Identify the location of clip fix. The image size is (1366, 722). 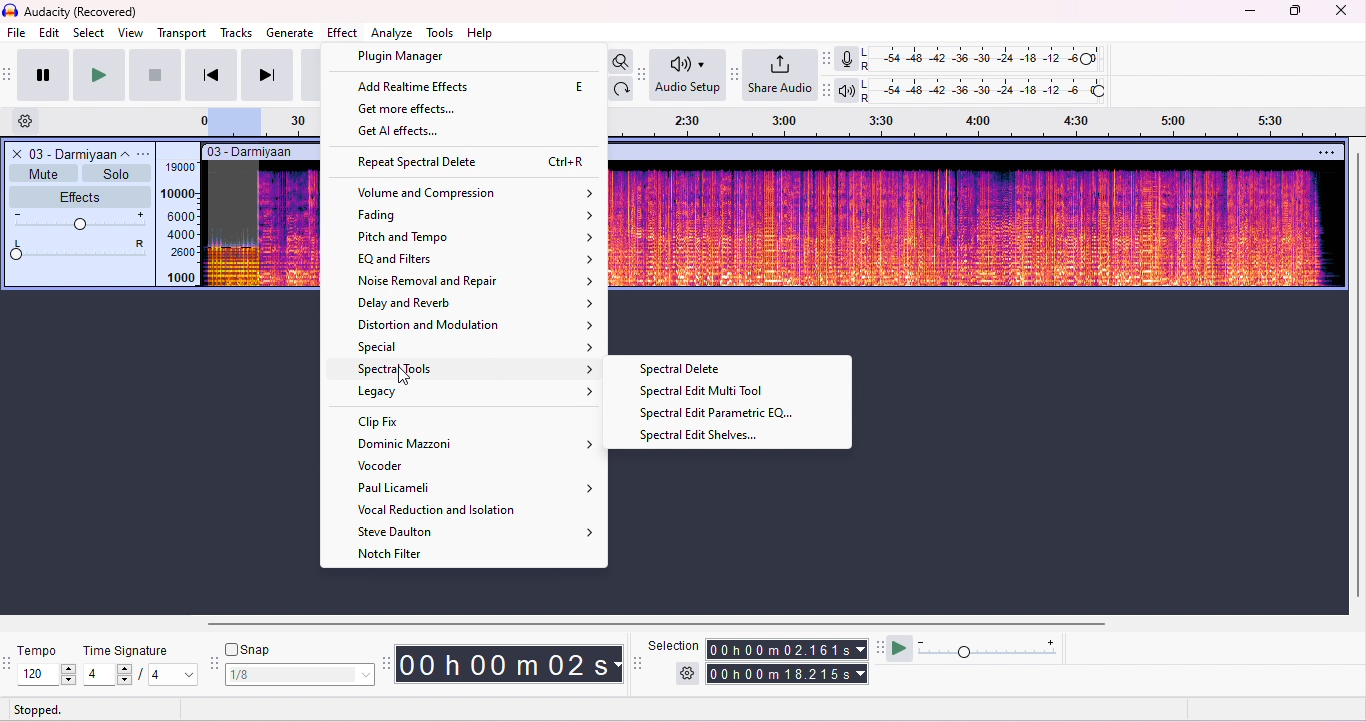
(424, 420).